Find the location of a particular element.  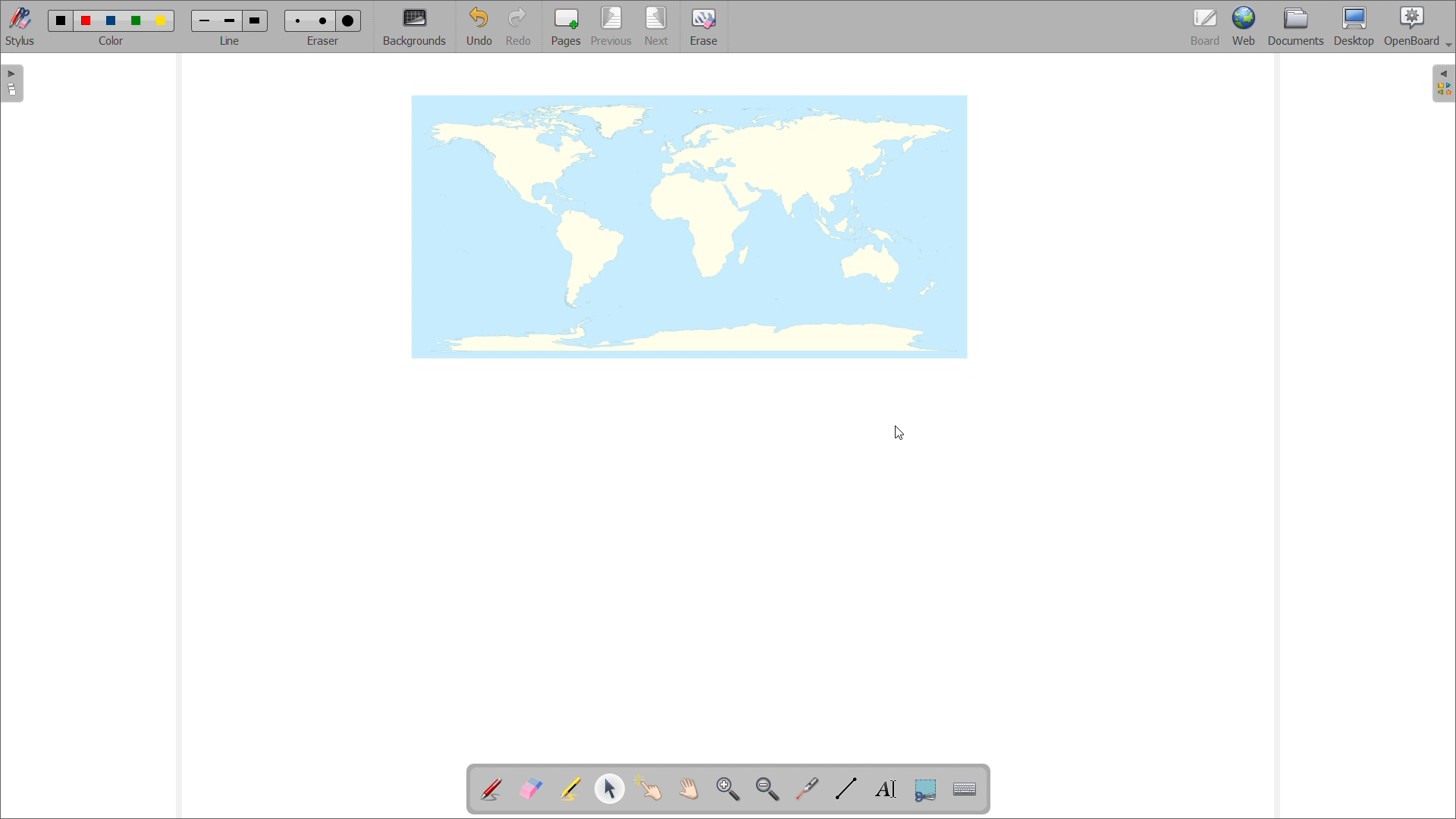

add annotations is located at coordinates (492, 789).